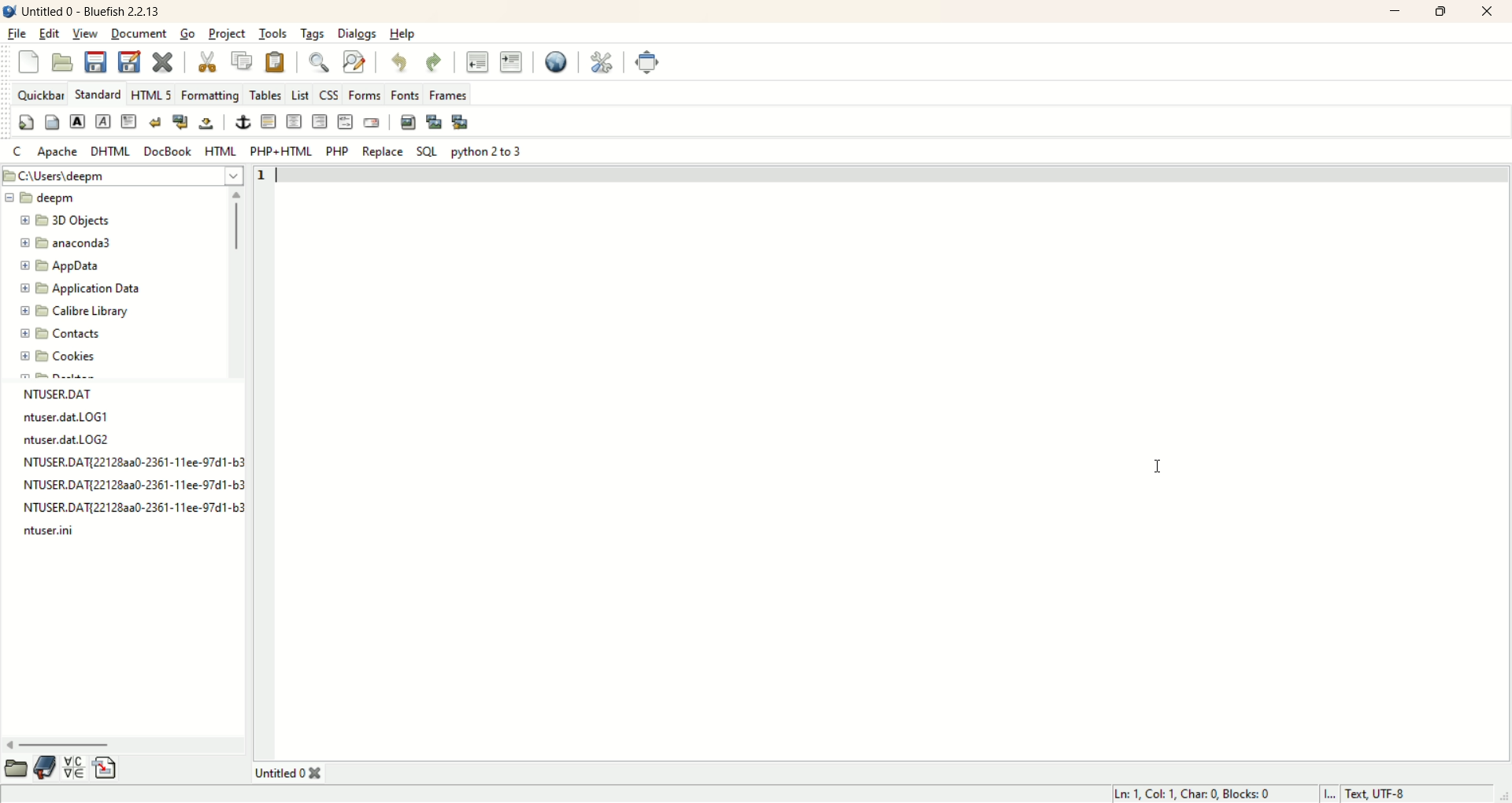  I want to click on horizontal rule, so click(269, 122).